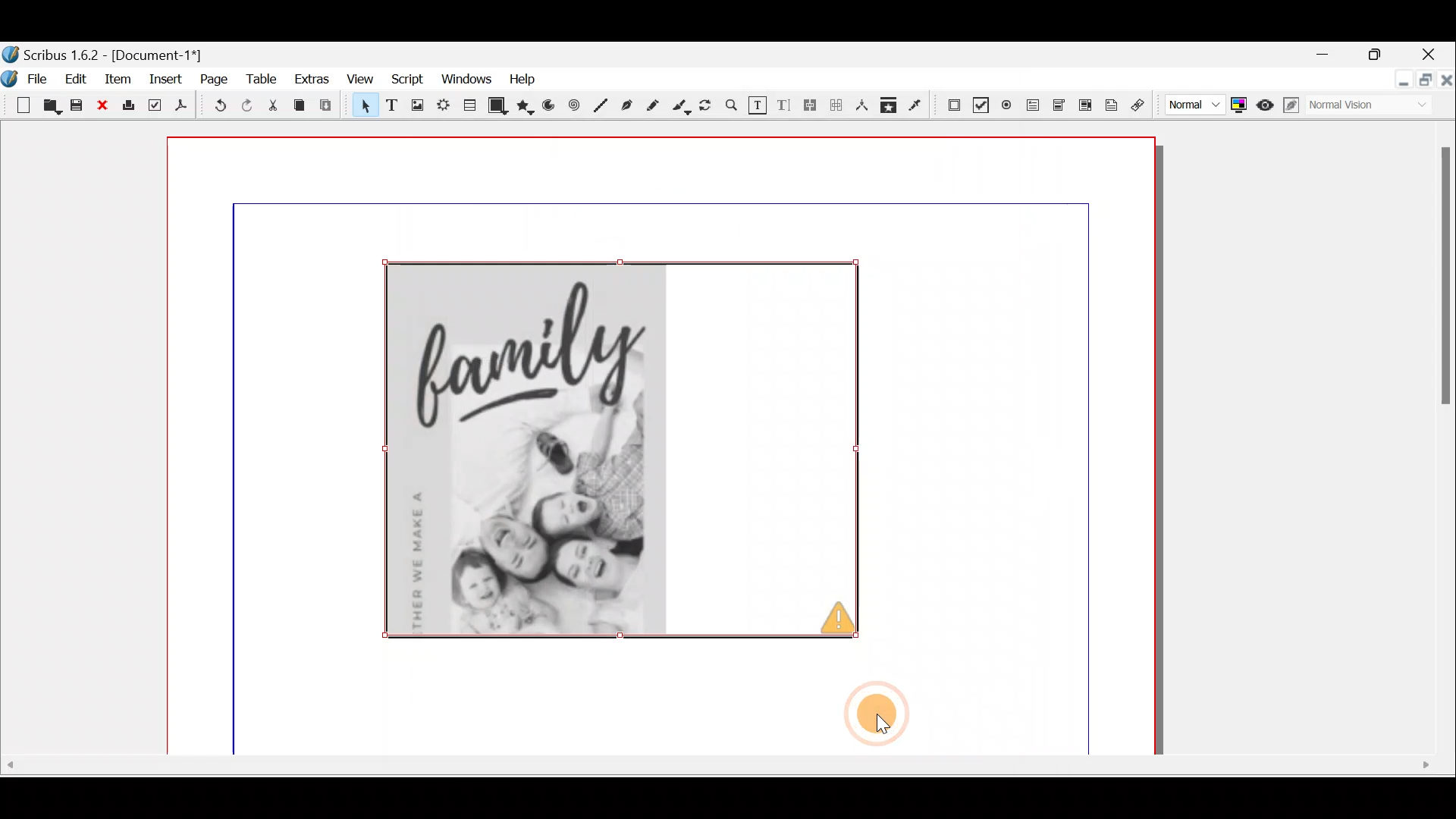  I want to click on Text frame, so click(394, 107).